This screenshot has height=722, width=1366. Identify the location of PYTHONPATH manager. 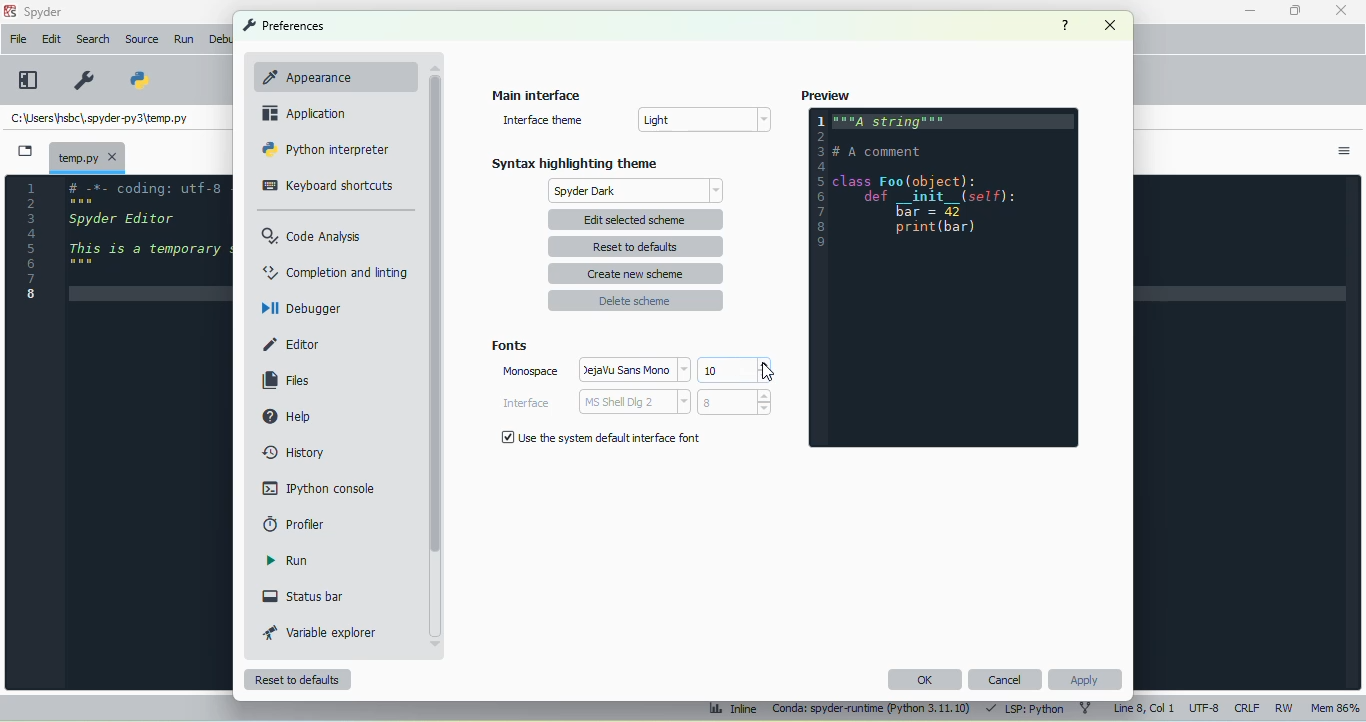
(136, 79).